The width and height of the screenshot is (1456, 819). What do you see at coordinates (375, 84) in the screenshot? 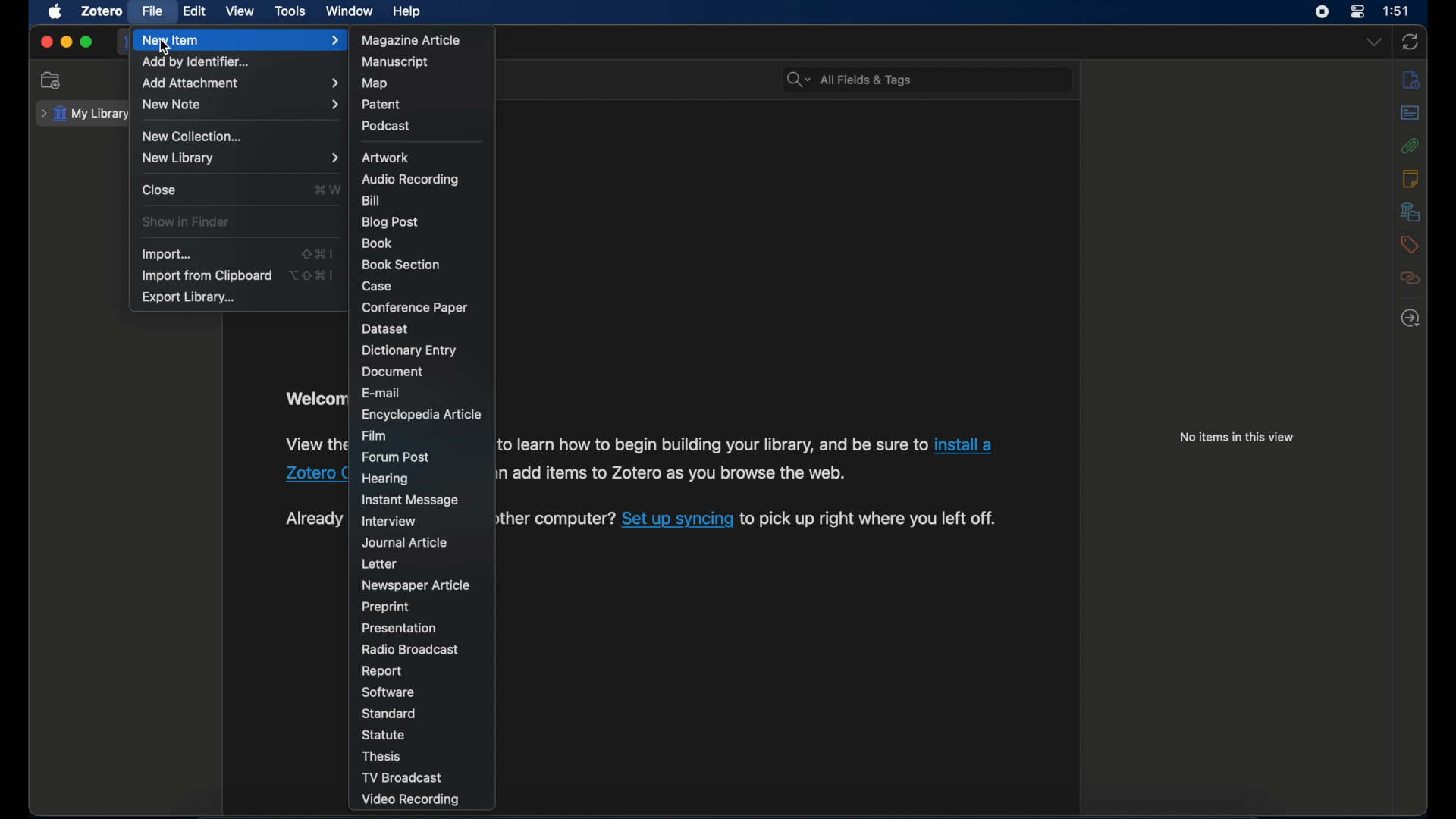
I see `map` at bounding box center [375, 84].